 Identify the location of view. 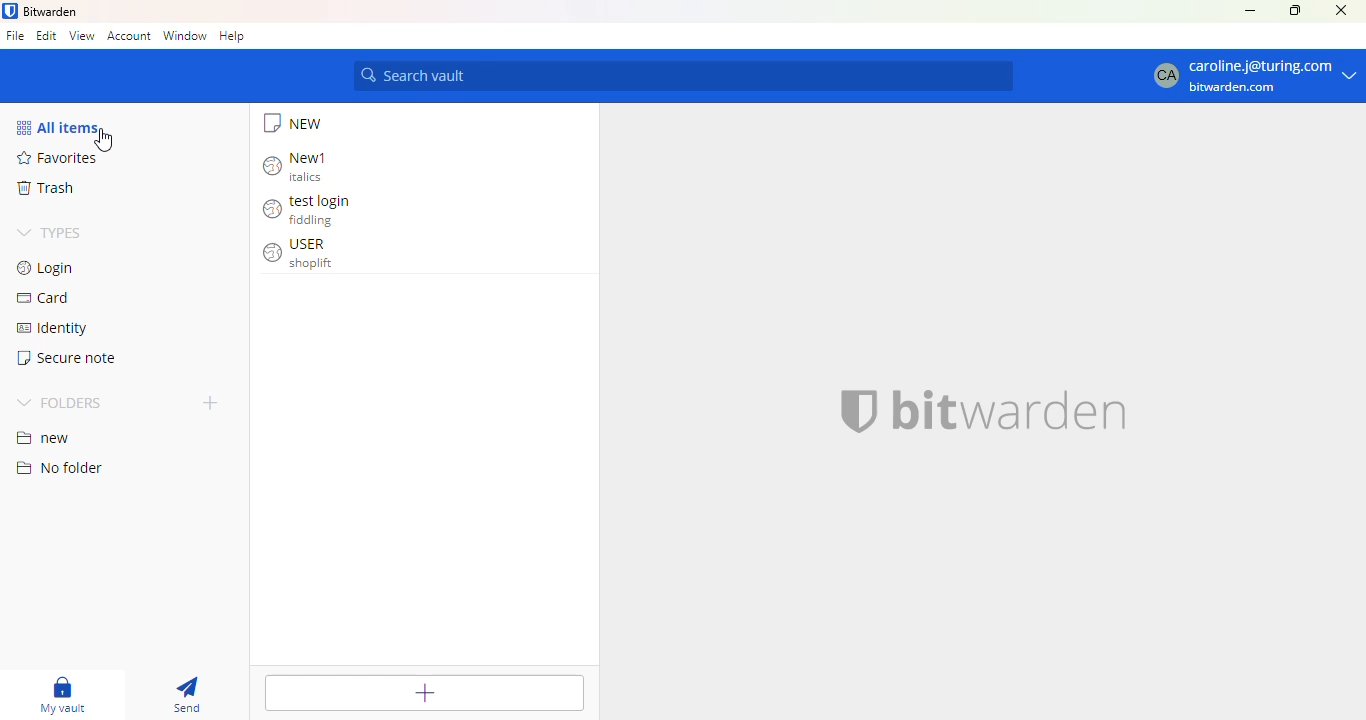
(83, 36).